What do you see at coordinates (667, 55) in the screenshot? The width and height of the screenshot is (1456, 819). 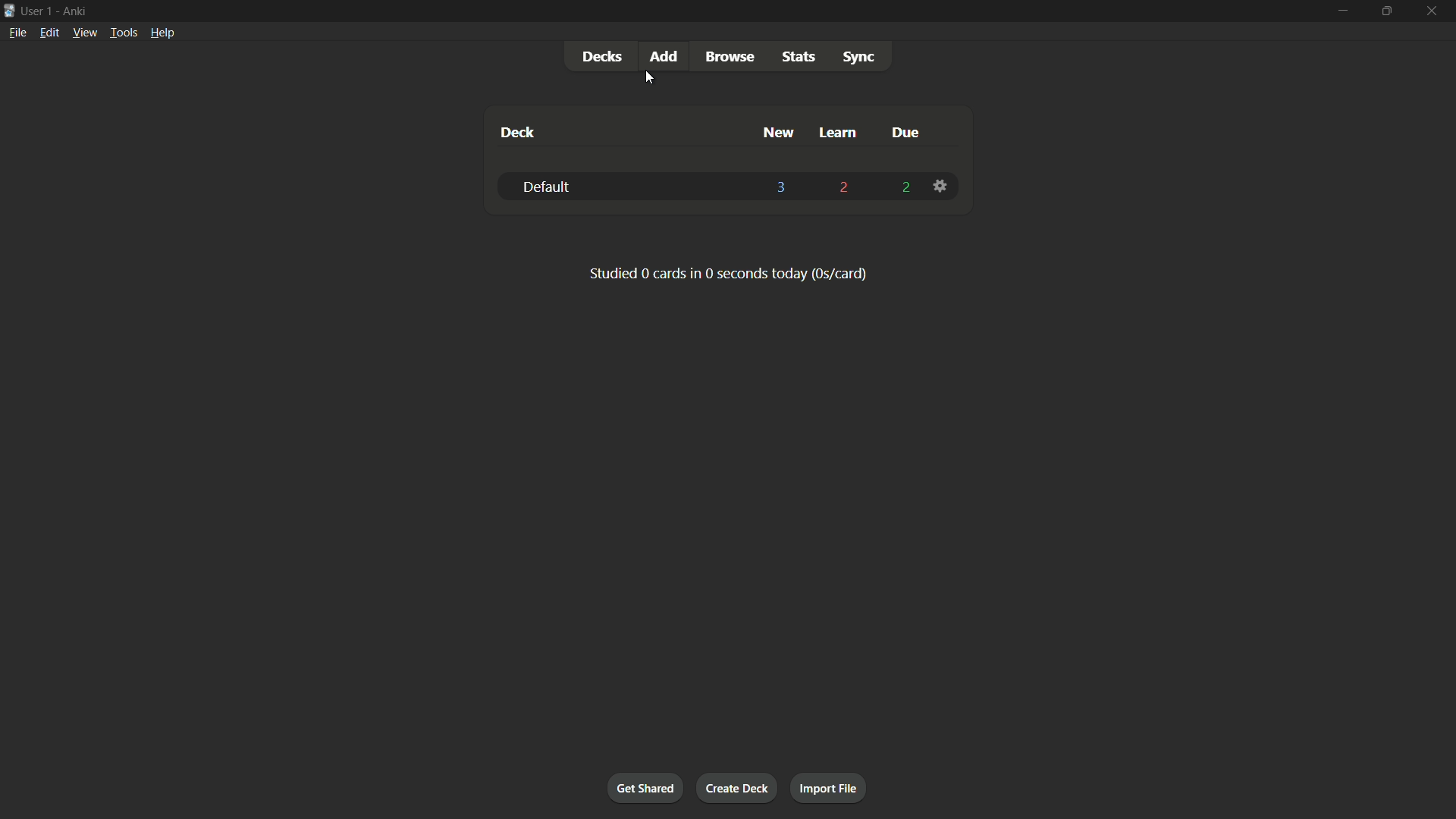 I see `add` at bounding box center [667, 55].